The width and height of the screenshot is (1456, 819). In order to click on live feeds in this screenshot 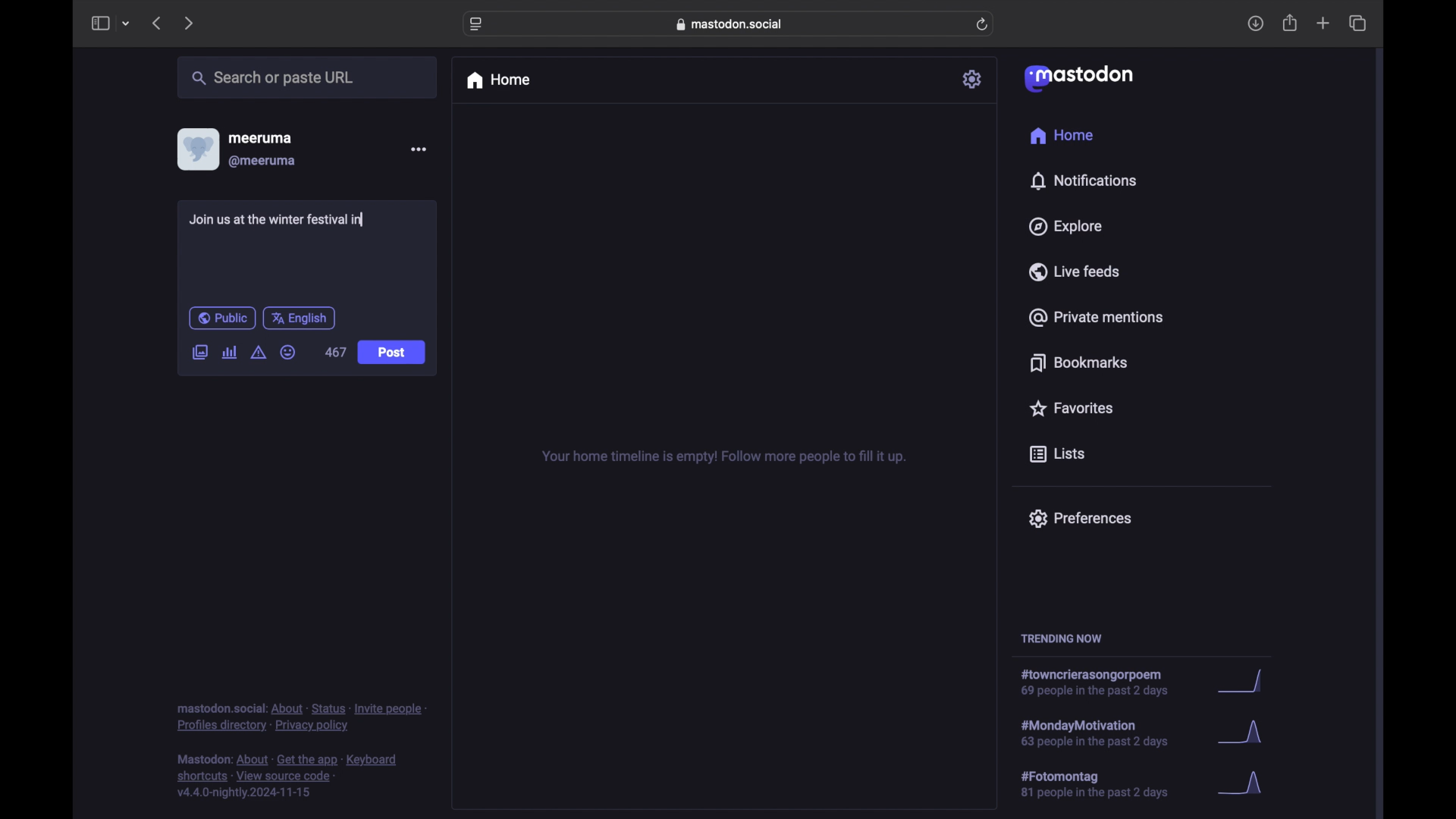, I will do `click(1075, 271)`.